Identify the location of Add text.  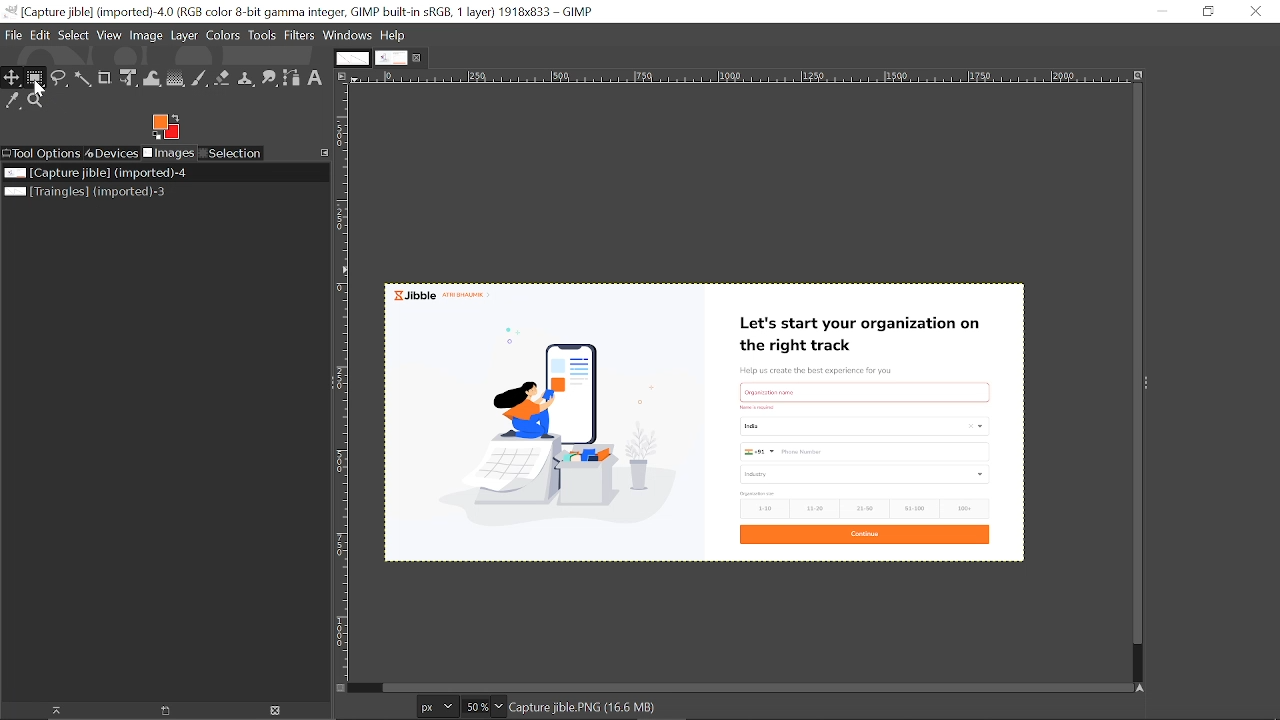
(315, 77).